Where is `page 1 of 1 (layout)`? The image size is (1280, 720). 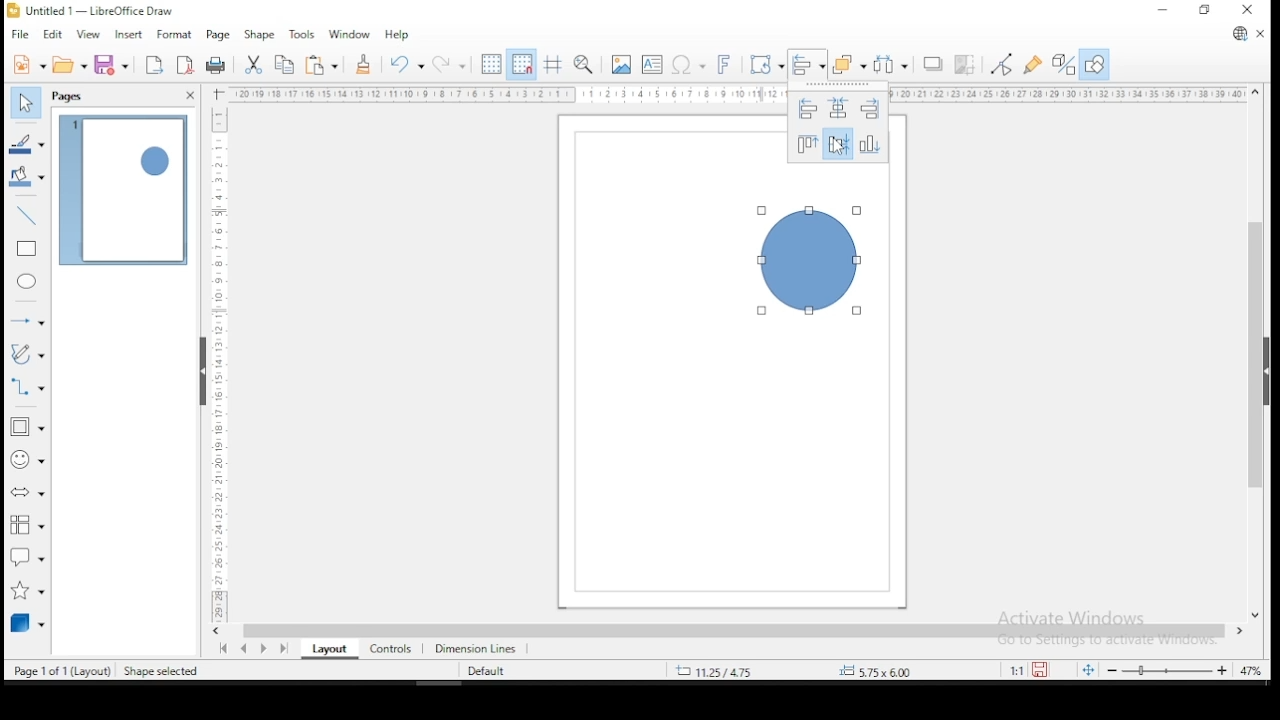 page 1 of 1 (layout) is located at coordinates (63, 669).